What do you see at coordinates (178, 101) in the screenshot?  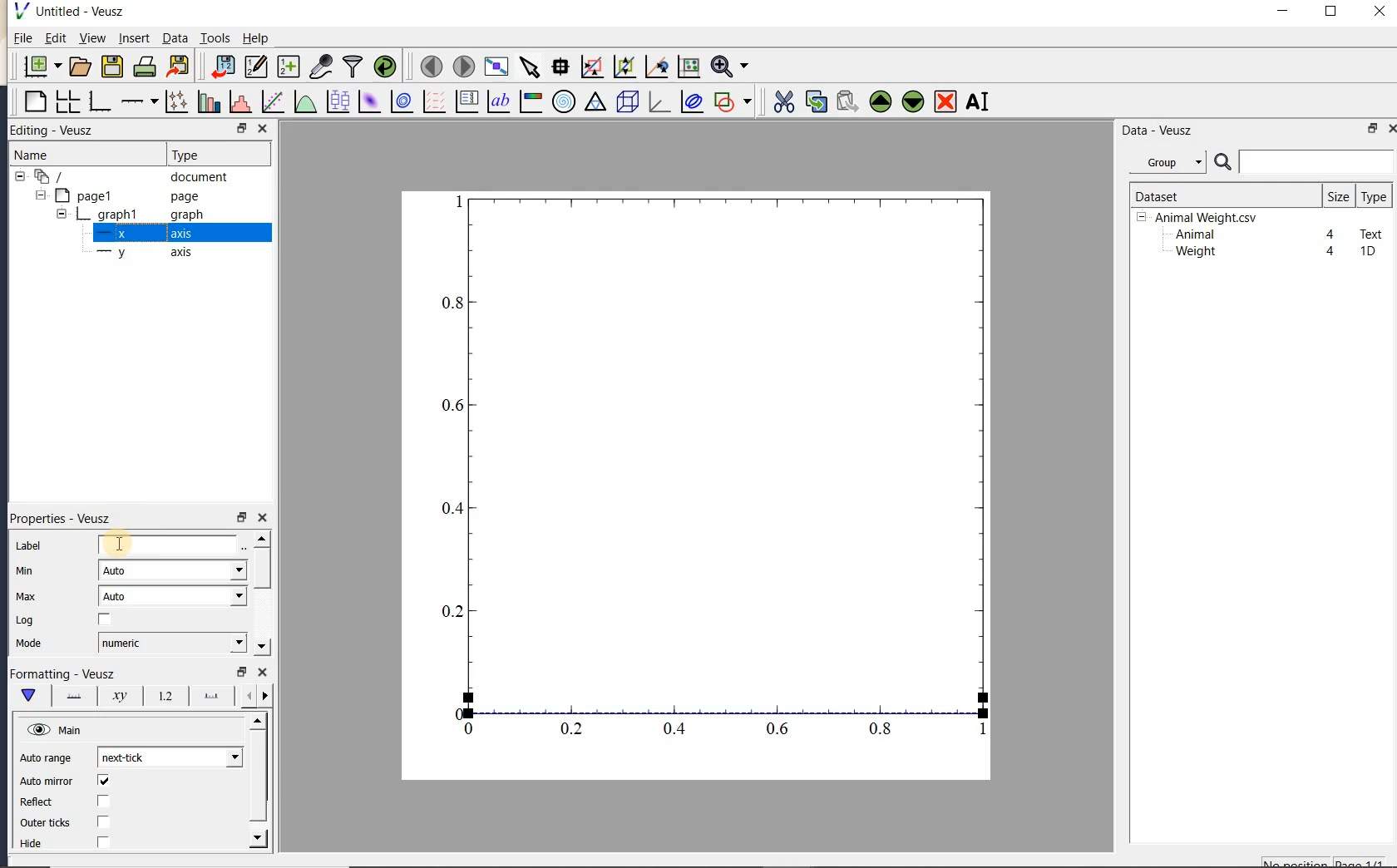 I see `plot points with lines and errorbars` at bounding box center [178, 101].